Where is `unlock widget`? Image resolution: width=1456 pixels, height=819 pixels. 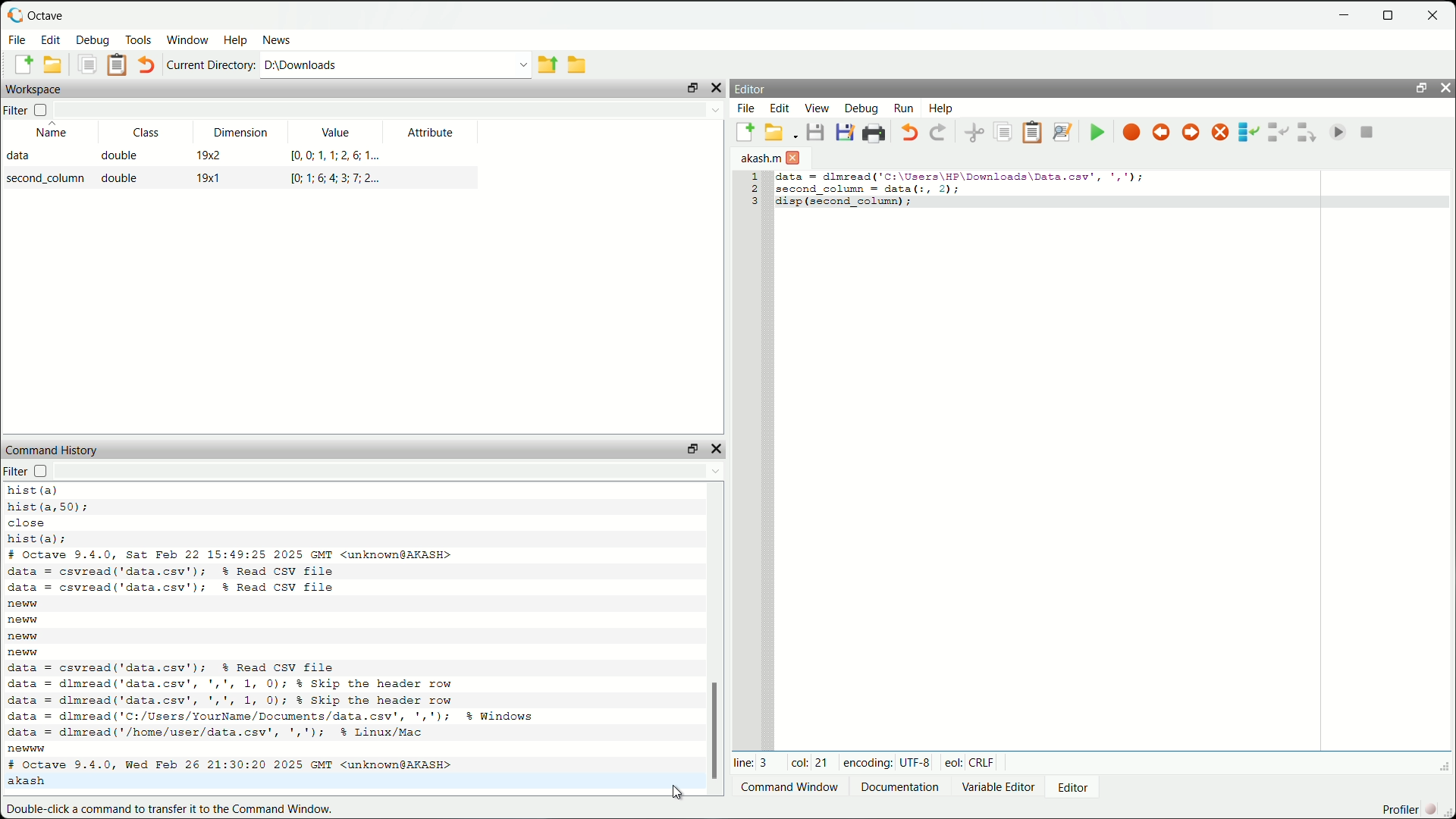
unlock widget is located at coordinates (689, 87).